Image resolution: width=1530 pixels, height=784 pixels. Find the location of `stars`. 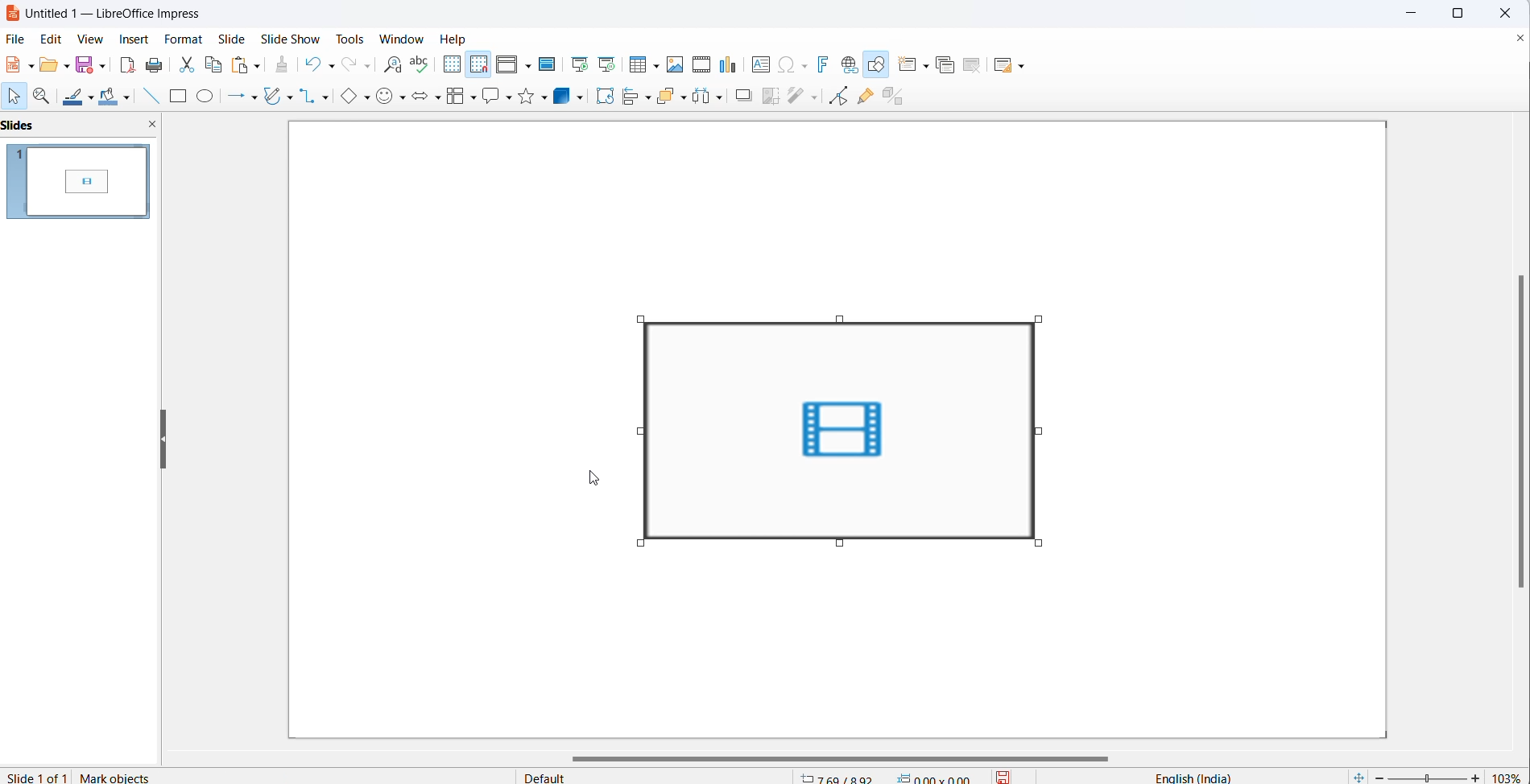

stars is located at coordinates (526, 97).